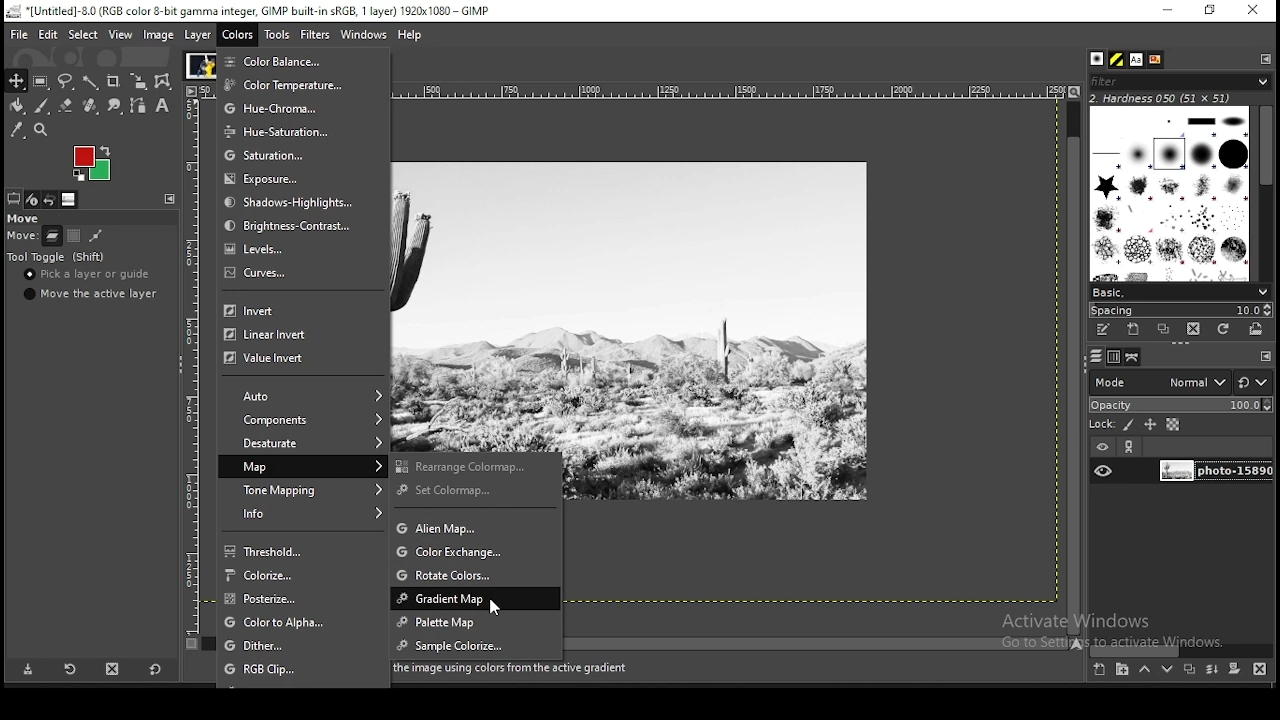 This screenshot has height=720, width=1280. What do you see at coordinates (1096, 357) in the screenshot?
I see `layers` at bounding box center [1096, 357].